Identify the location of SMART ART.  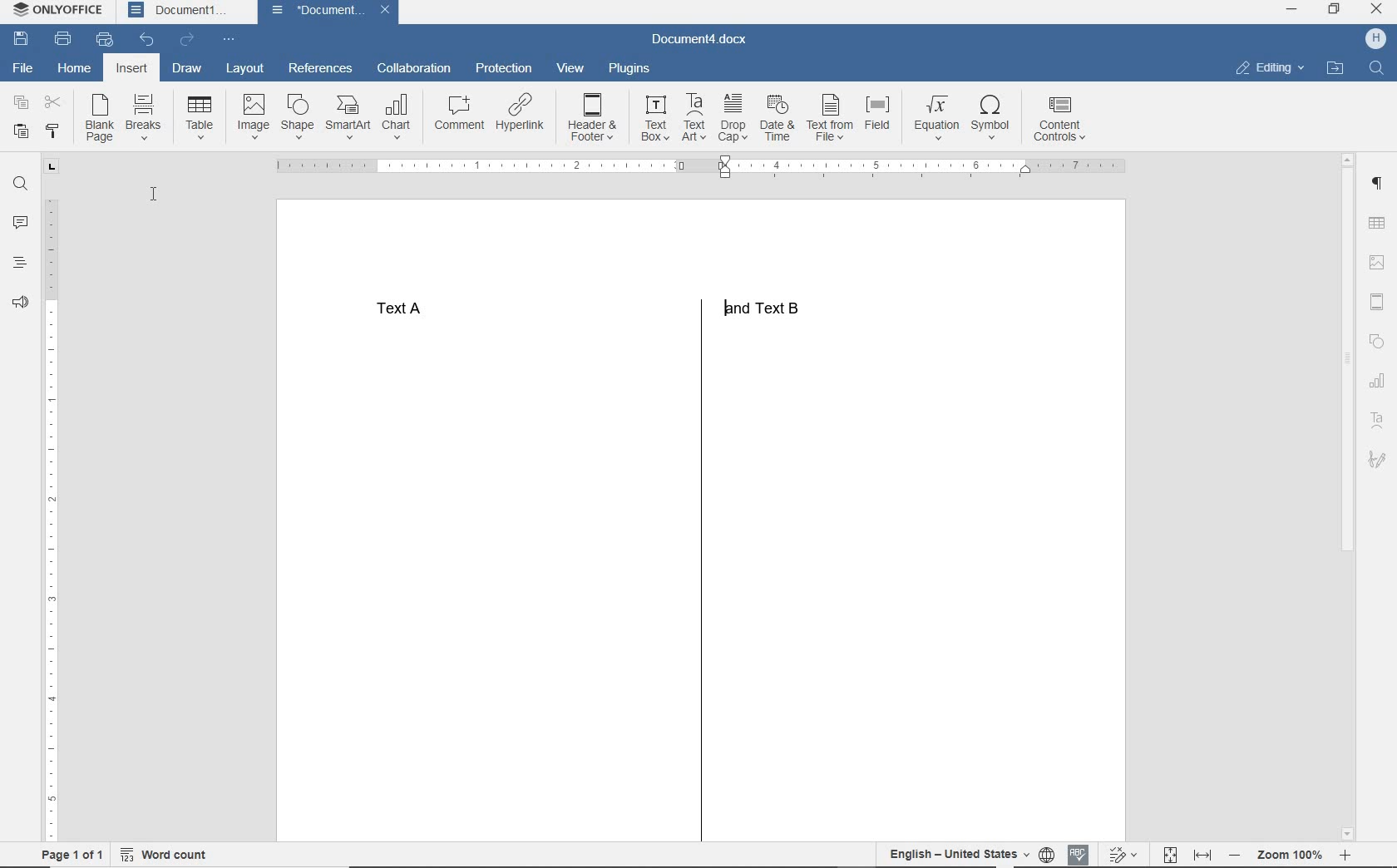
(347, 118).